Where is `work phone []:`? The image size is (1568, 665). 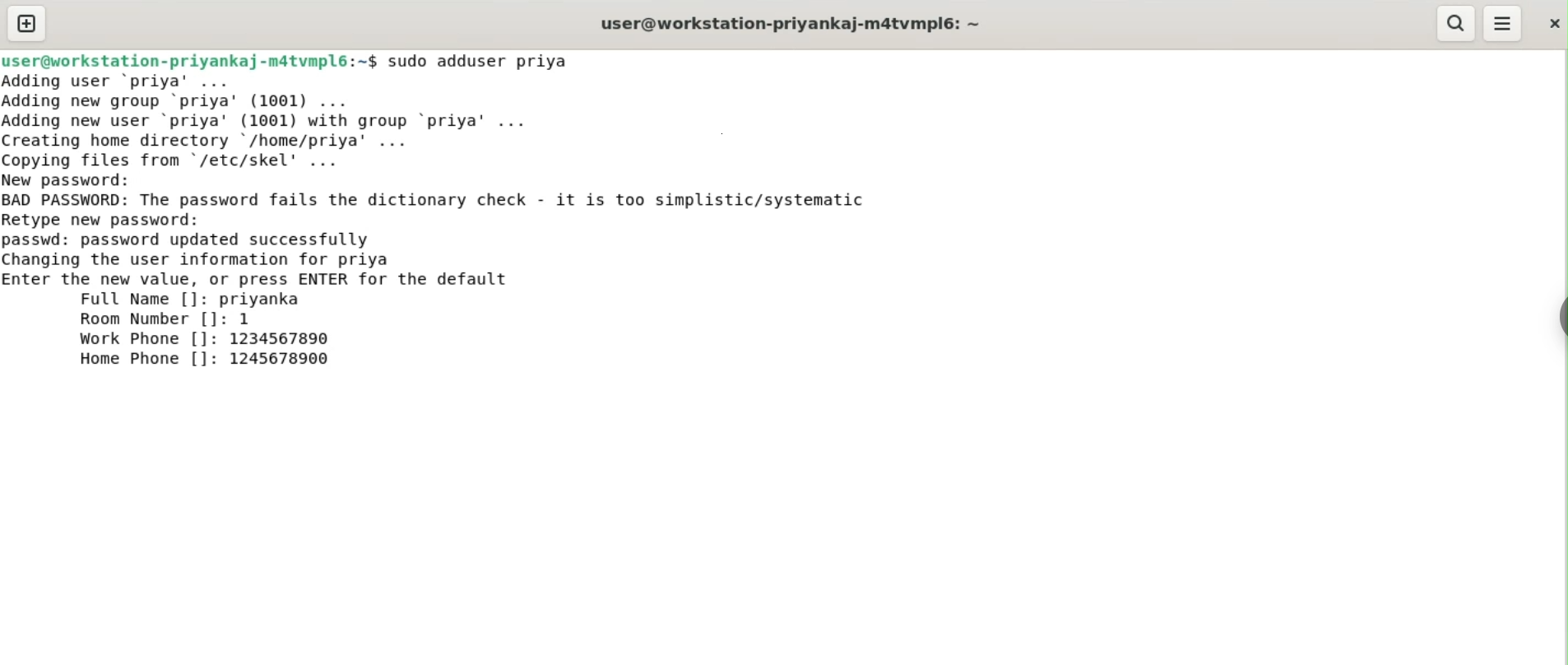 work phone []: is located at coordinates (141, 341).